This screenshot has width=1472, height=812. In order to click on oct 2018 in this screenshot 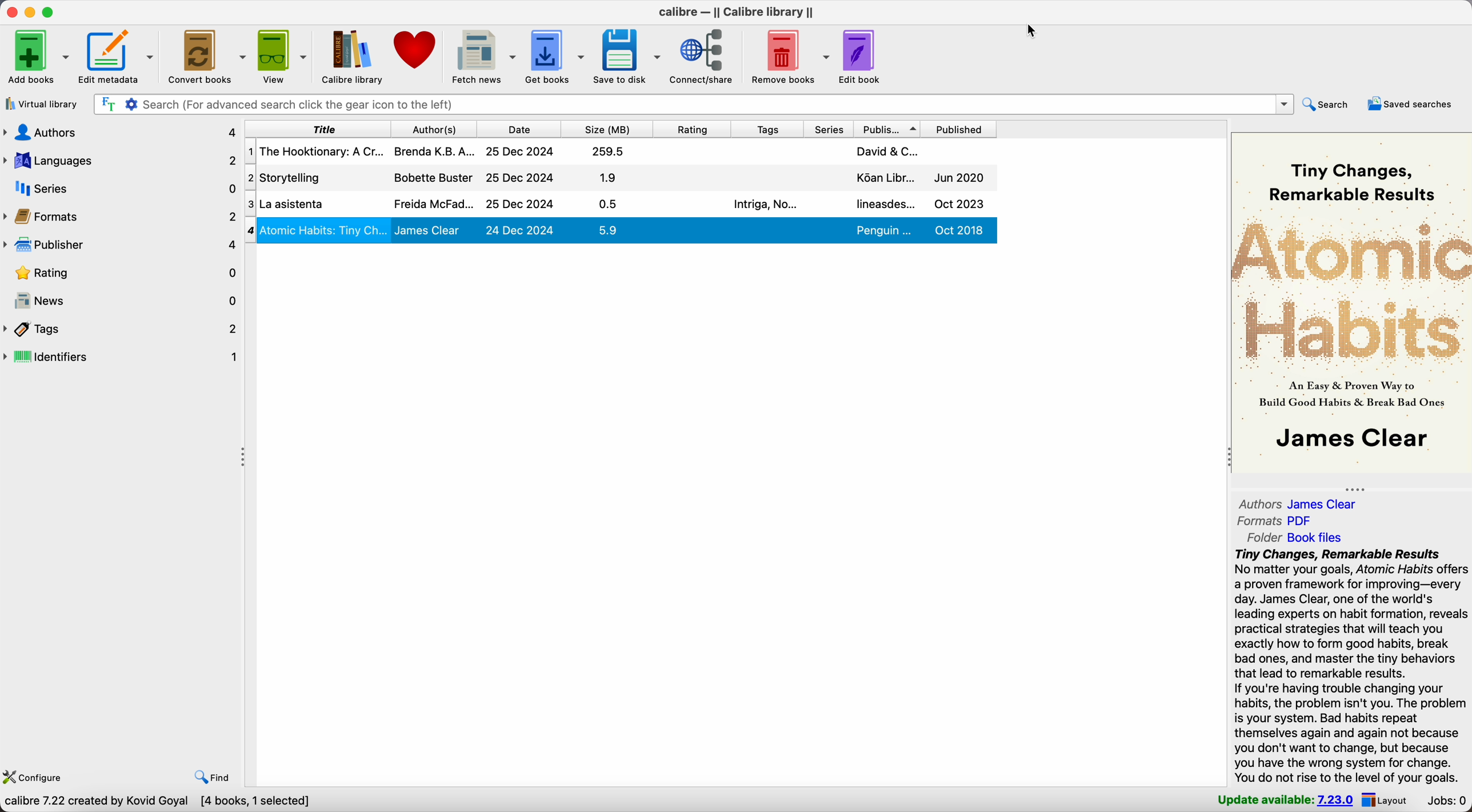, I will do `click(958, 229)`.